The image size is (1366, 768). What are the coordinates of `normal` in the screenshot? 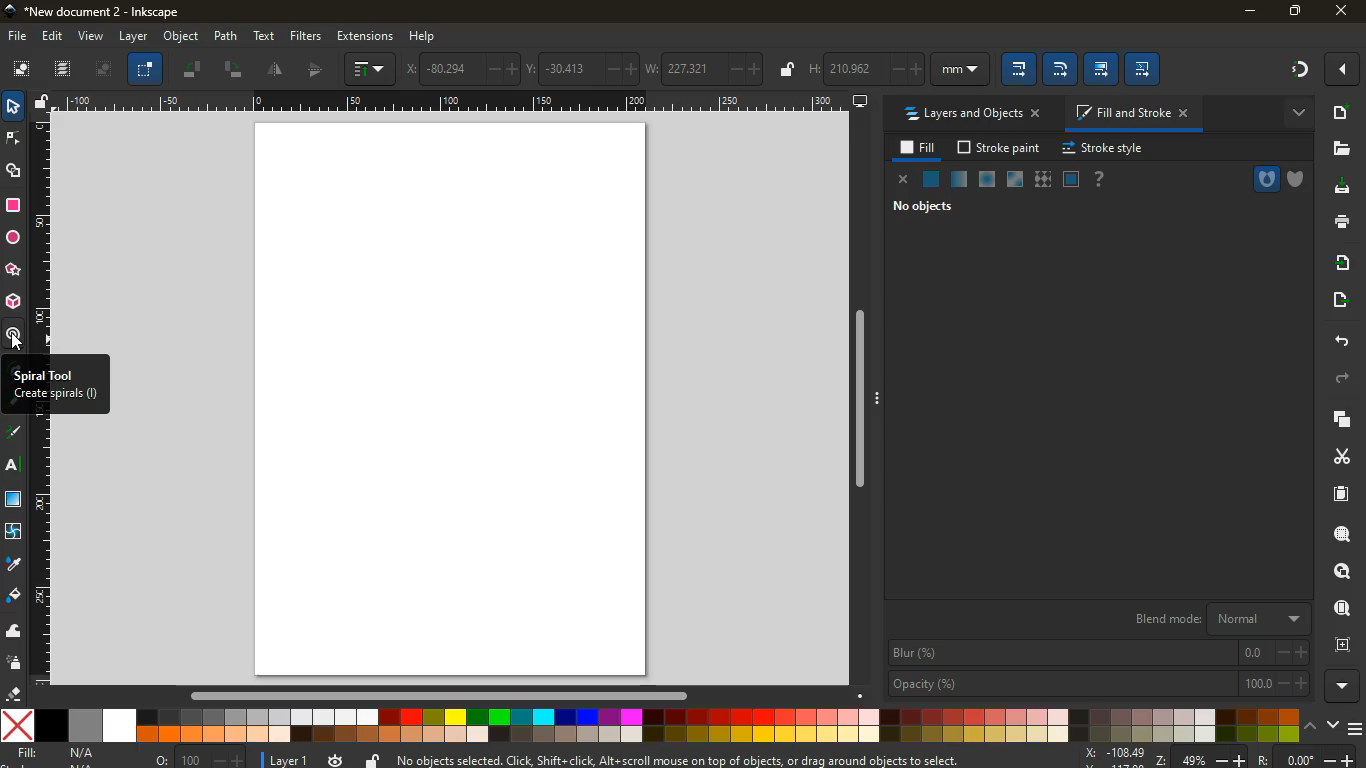 It's located at (932, 180).